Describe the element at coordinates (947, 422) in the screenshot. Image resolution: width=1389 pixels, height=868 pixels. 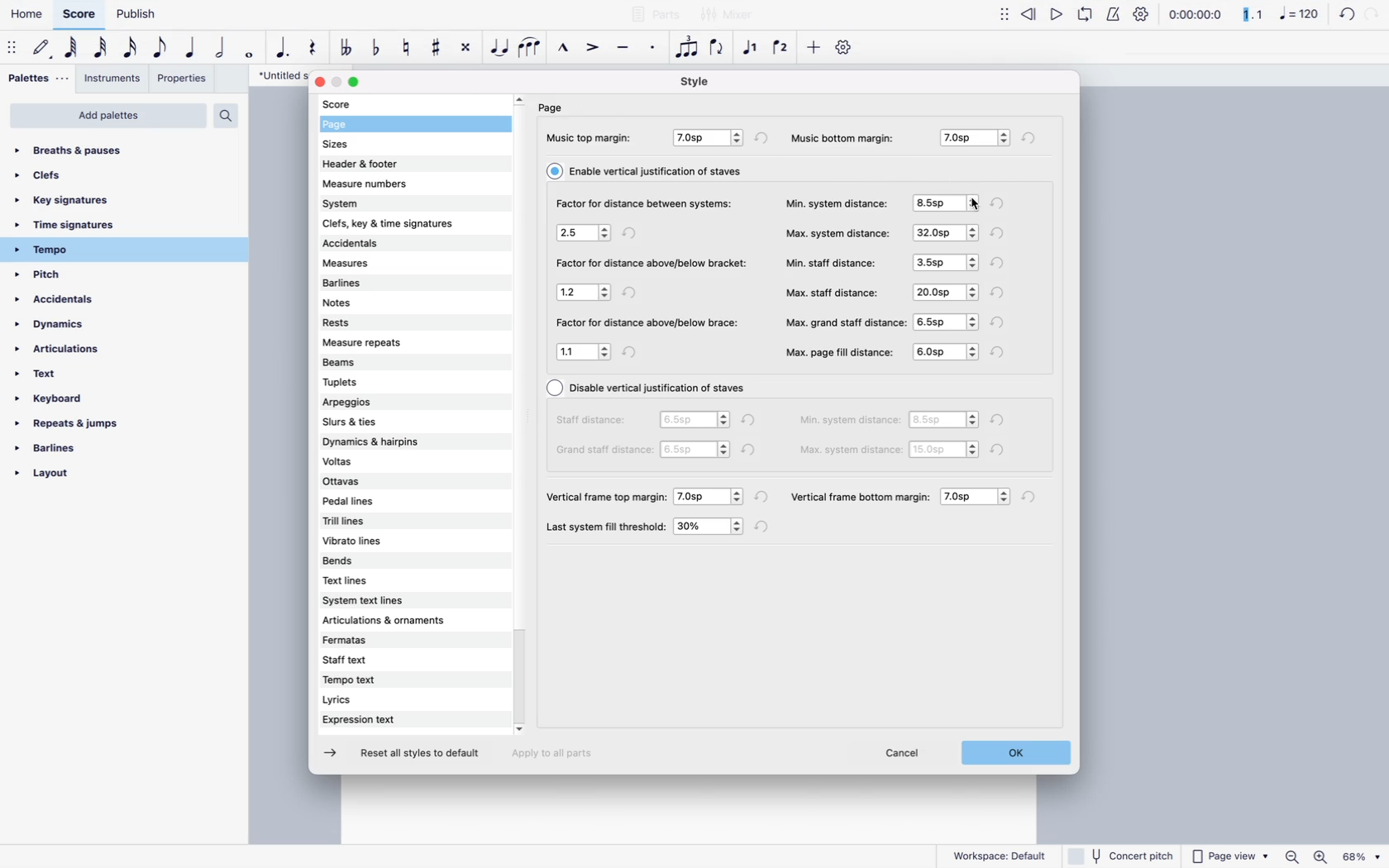
I see `options` at that location.